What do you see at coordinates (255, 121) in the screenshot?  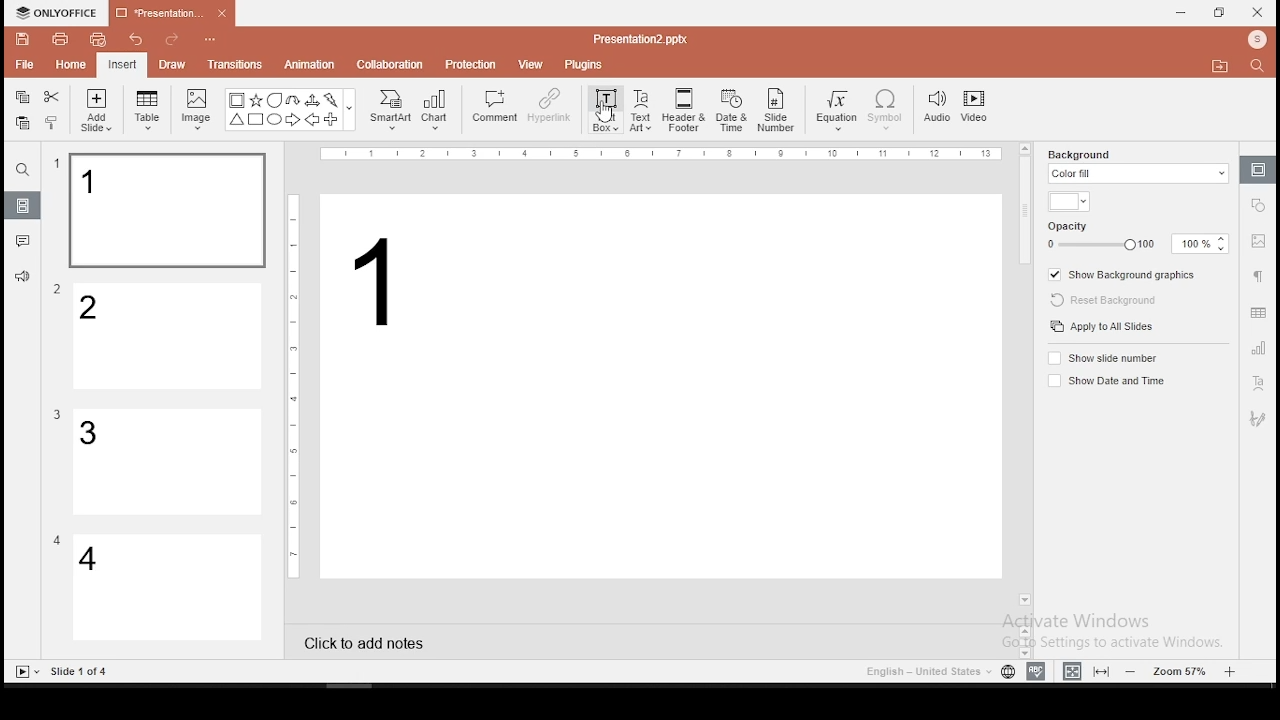 I see `Square` at bounding box center [255, 121].